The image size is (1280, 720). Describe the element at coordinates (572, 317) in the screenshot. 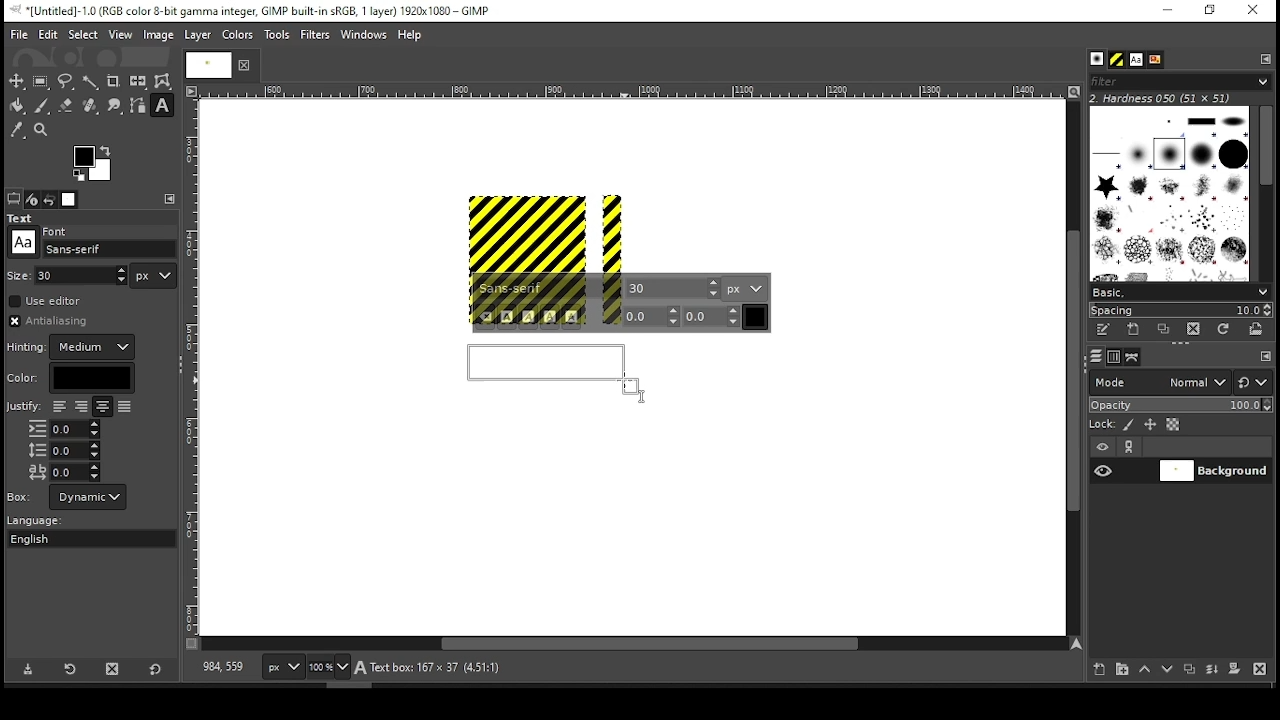

I see `strikethrough` at that location.